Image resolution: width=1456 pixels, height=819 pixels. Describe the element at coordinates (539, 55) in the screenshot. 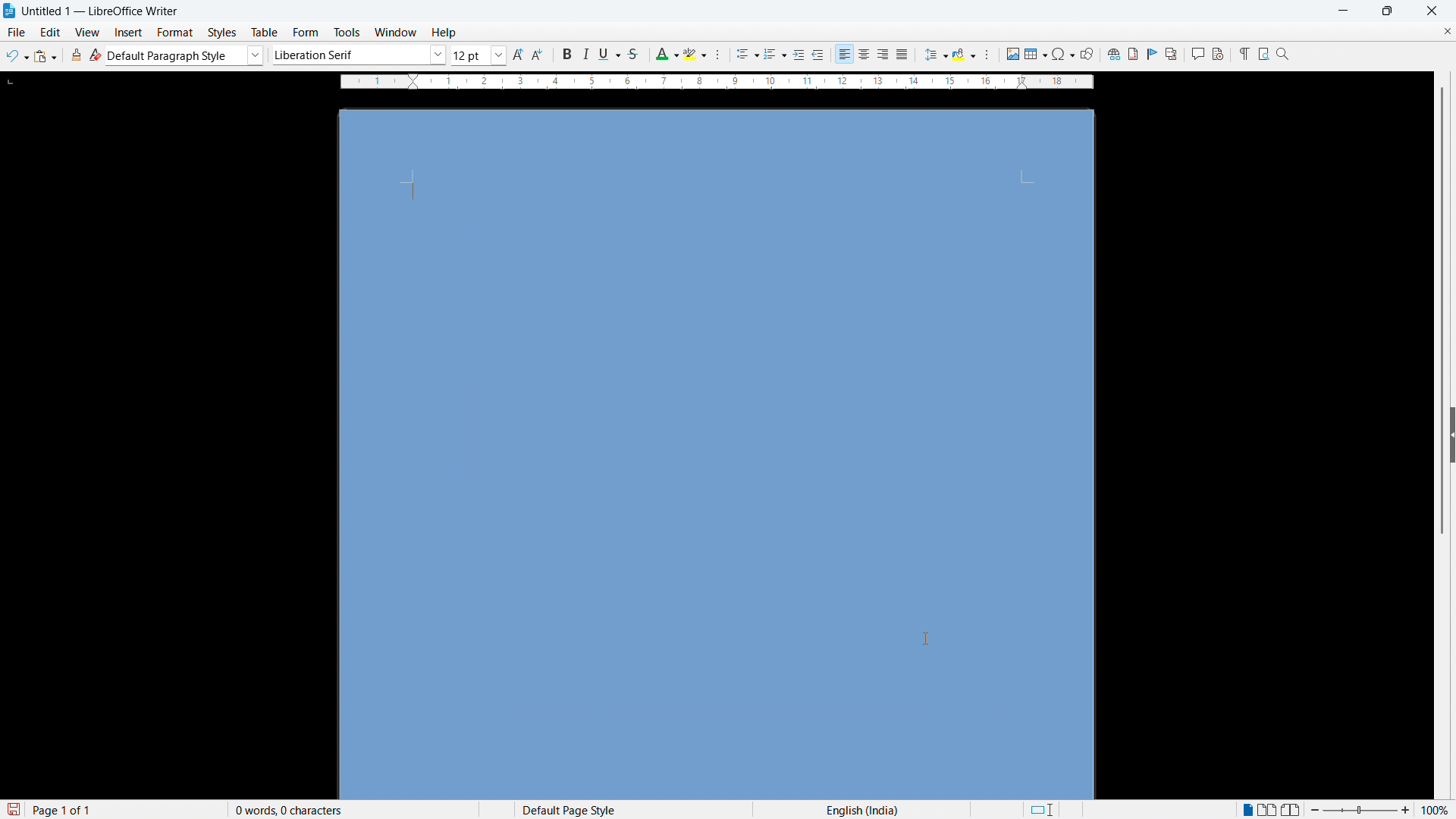

I see `Reduce font size ` at that location.